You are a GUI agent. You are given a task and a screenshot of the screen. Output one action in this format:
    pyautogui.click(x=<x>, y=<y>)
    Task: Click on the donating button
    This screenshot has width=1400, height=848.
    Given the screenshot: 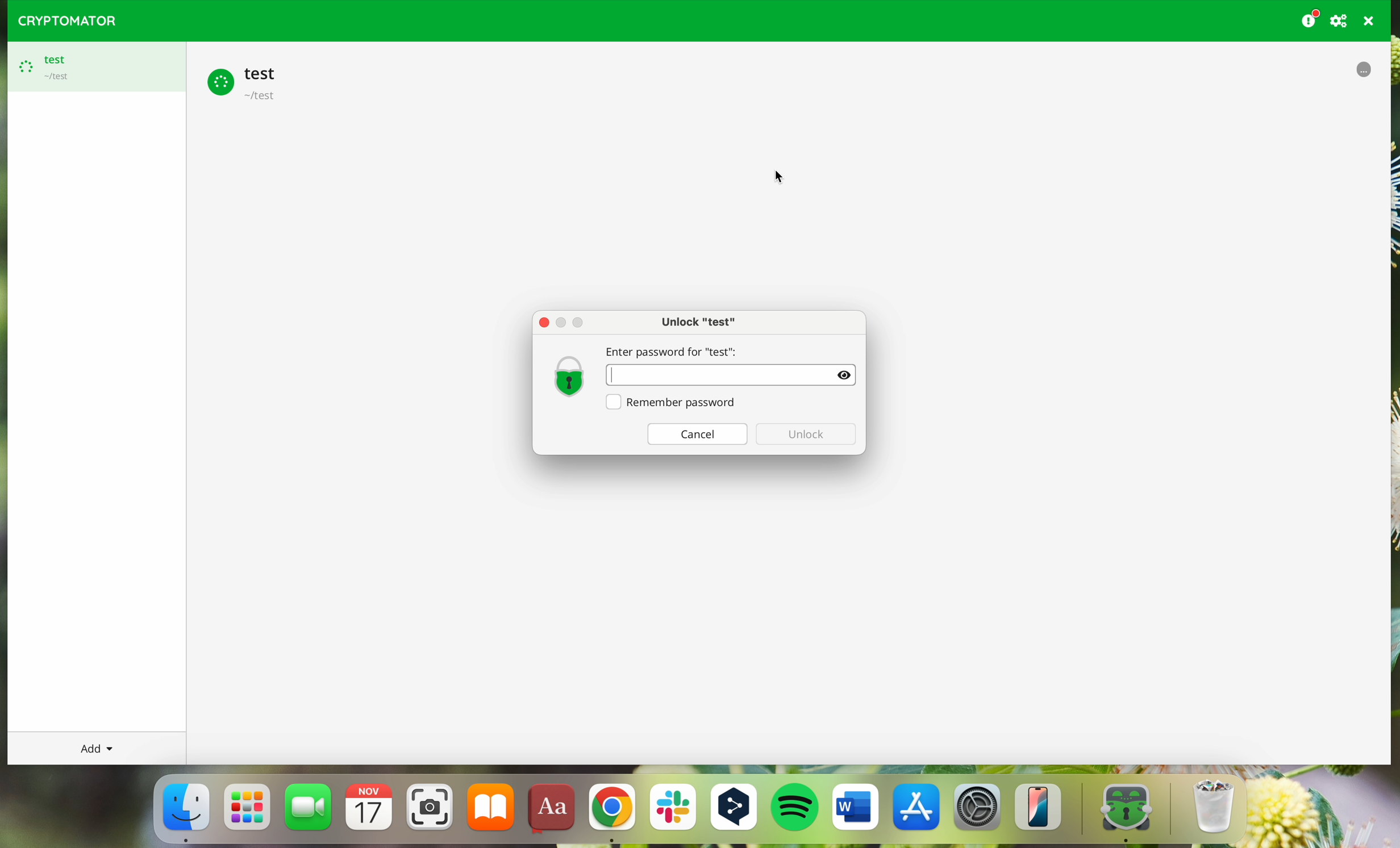 What is the action you would take?
    pyautogui.click(x=1310, y=19)
    